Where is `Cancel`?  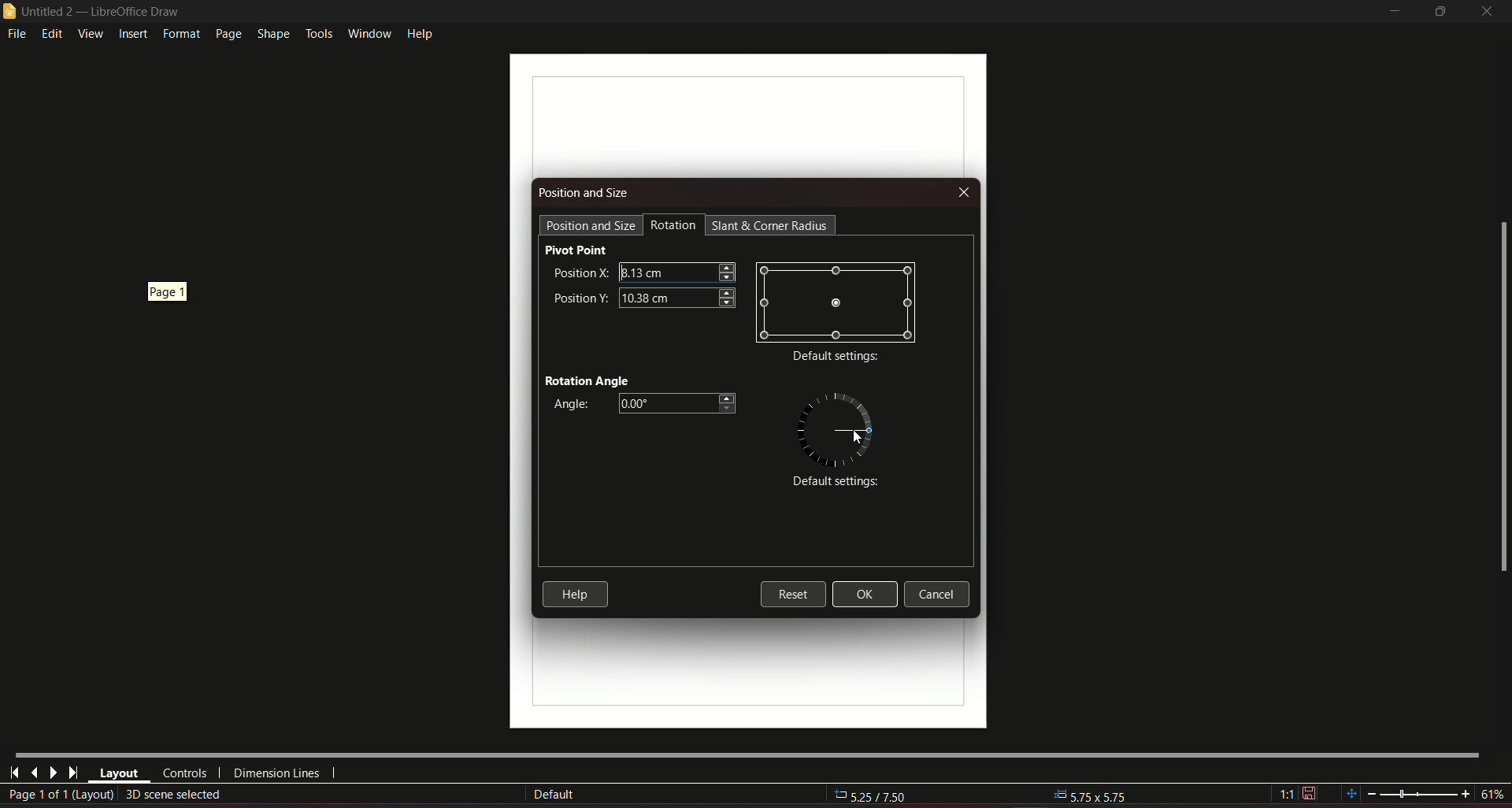
Cancel is located at coordinates (941, 595).